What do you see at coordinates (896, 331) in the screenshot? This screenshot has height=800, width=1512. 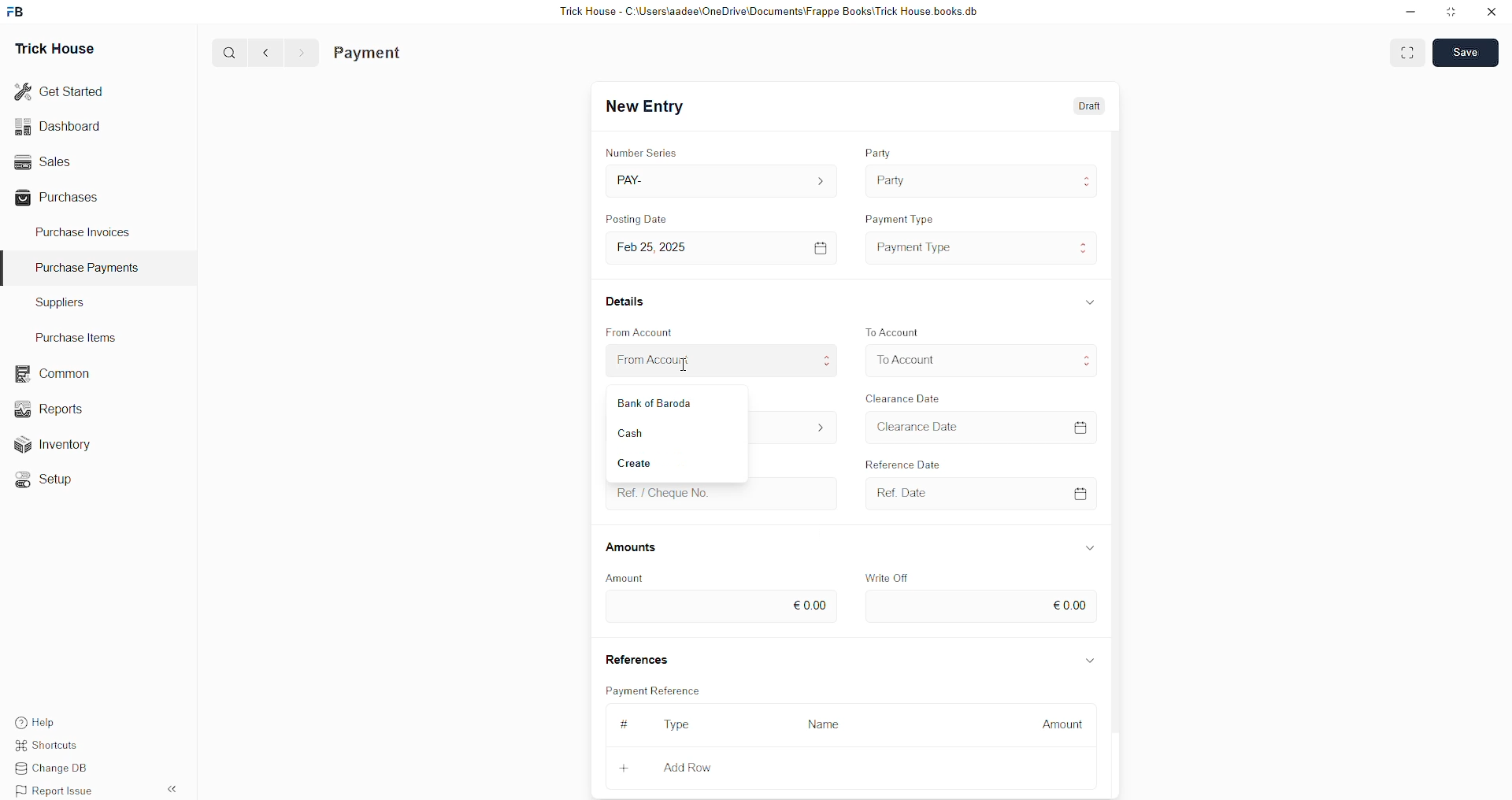 I see `To Account` at bounding box center [896, 331].